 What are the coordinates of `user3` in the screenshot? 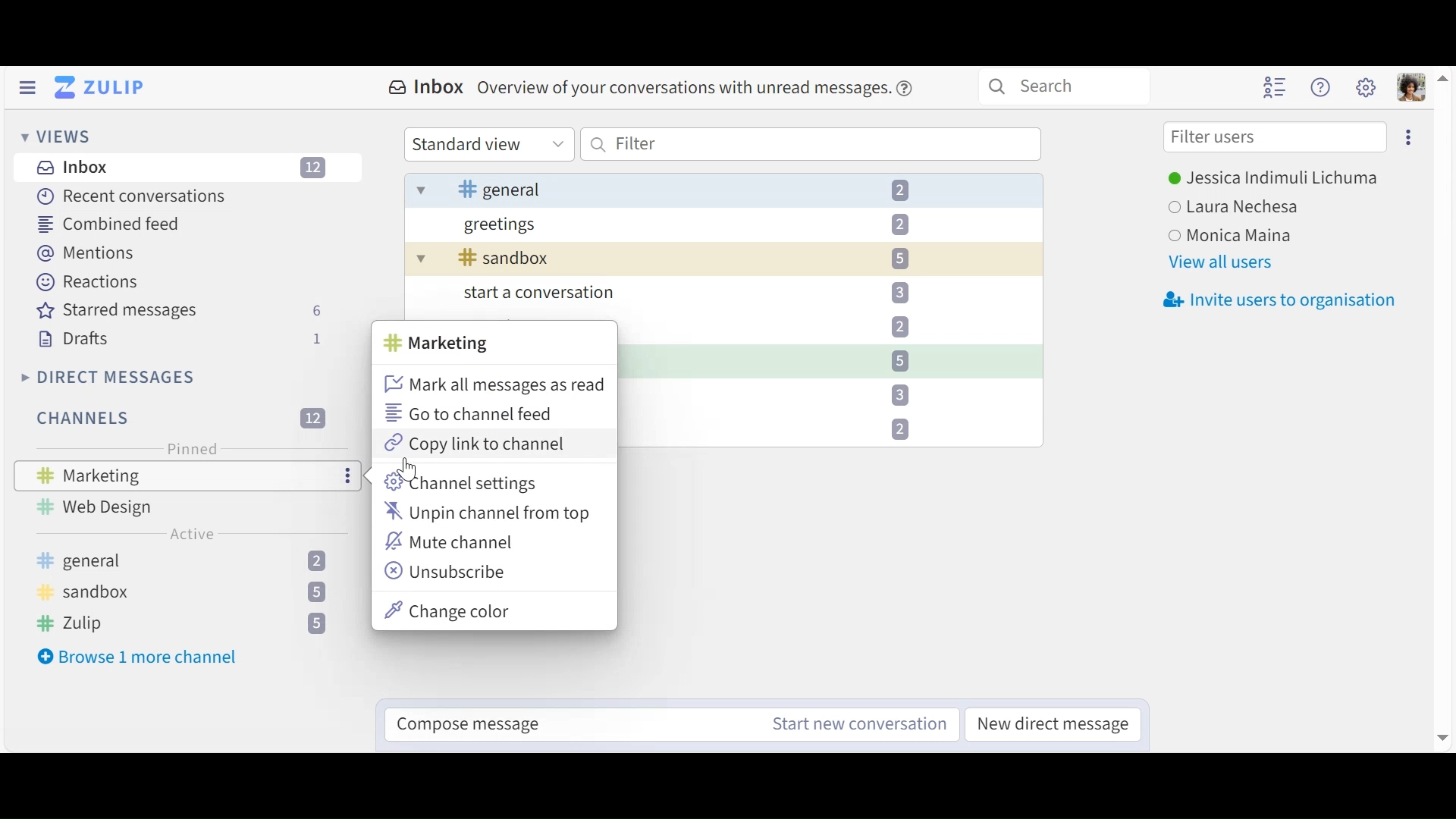 It's located at (1238, 235).